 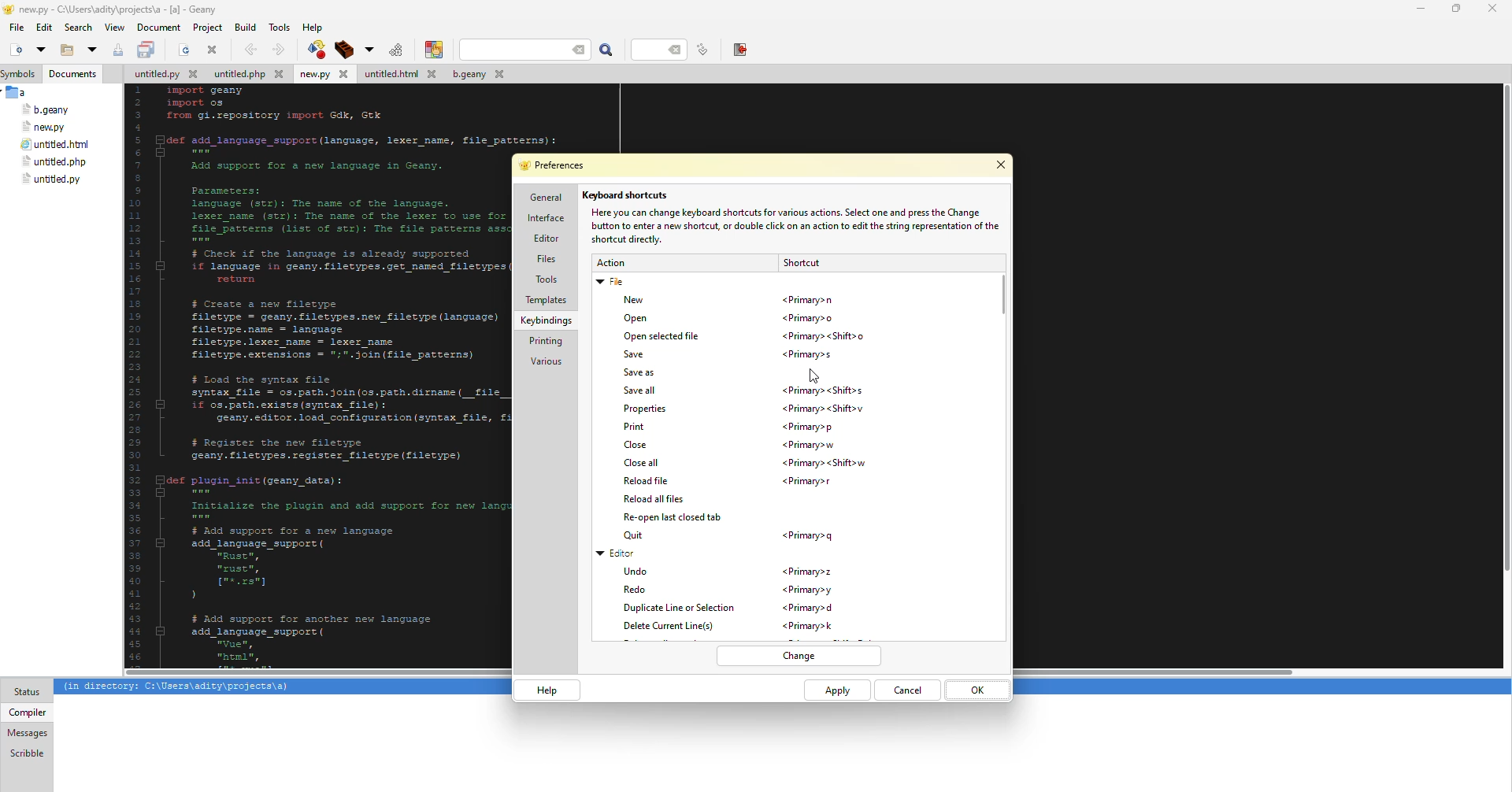 What do you see at coordinates (323, 75) in the screenshot?
I see `file` at bounding box center [323, 75].